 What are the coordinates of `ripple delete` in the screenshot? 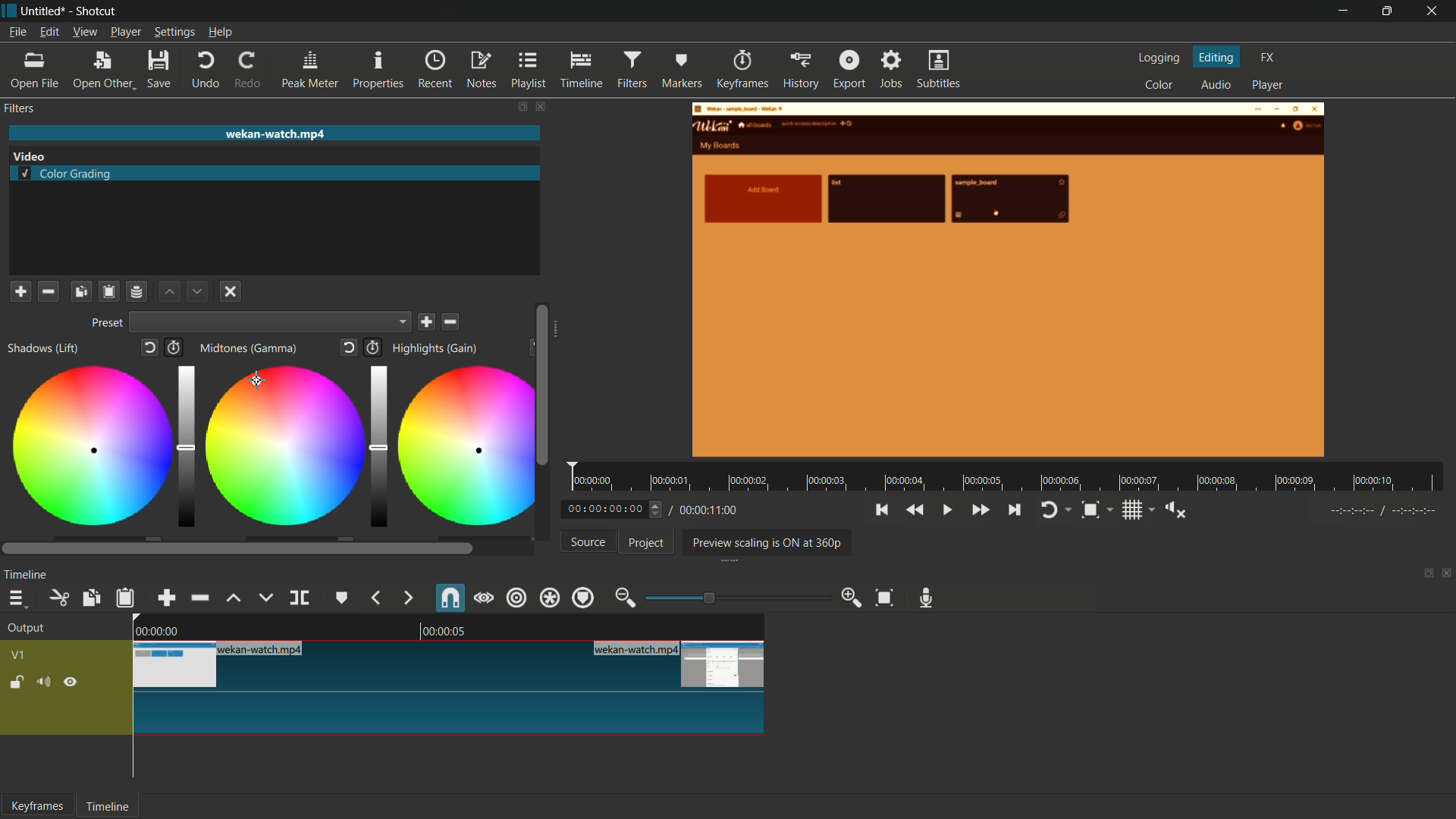 It's located at (198, 598).